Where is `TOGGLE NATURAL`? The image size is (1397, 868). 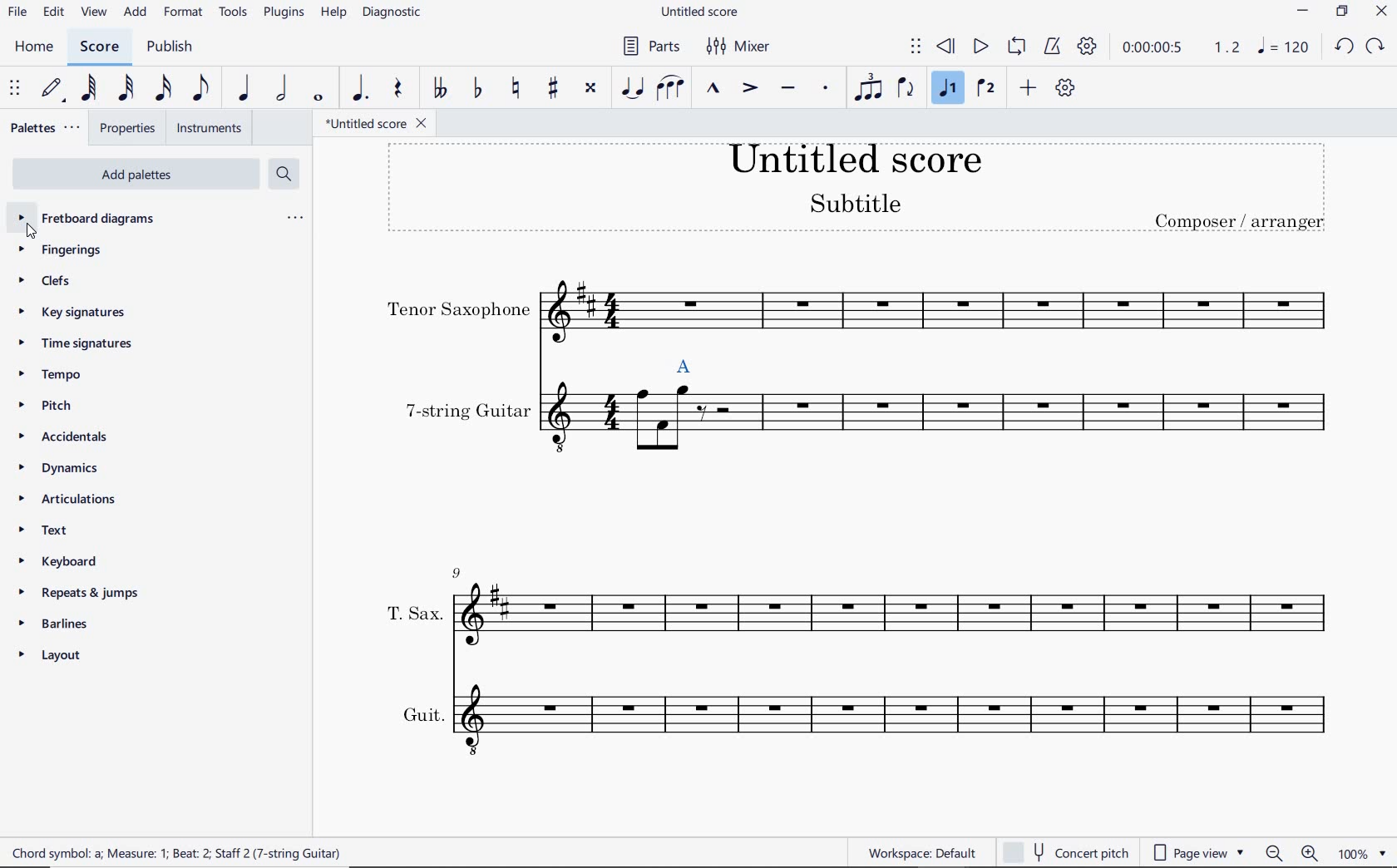 TOGGLE NATURAL is located at coordinates (516, 89).